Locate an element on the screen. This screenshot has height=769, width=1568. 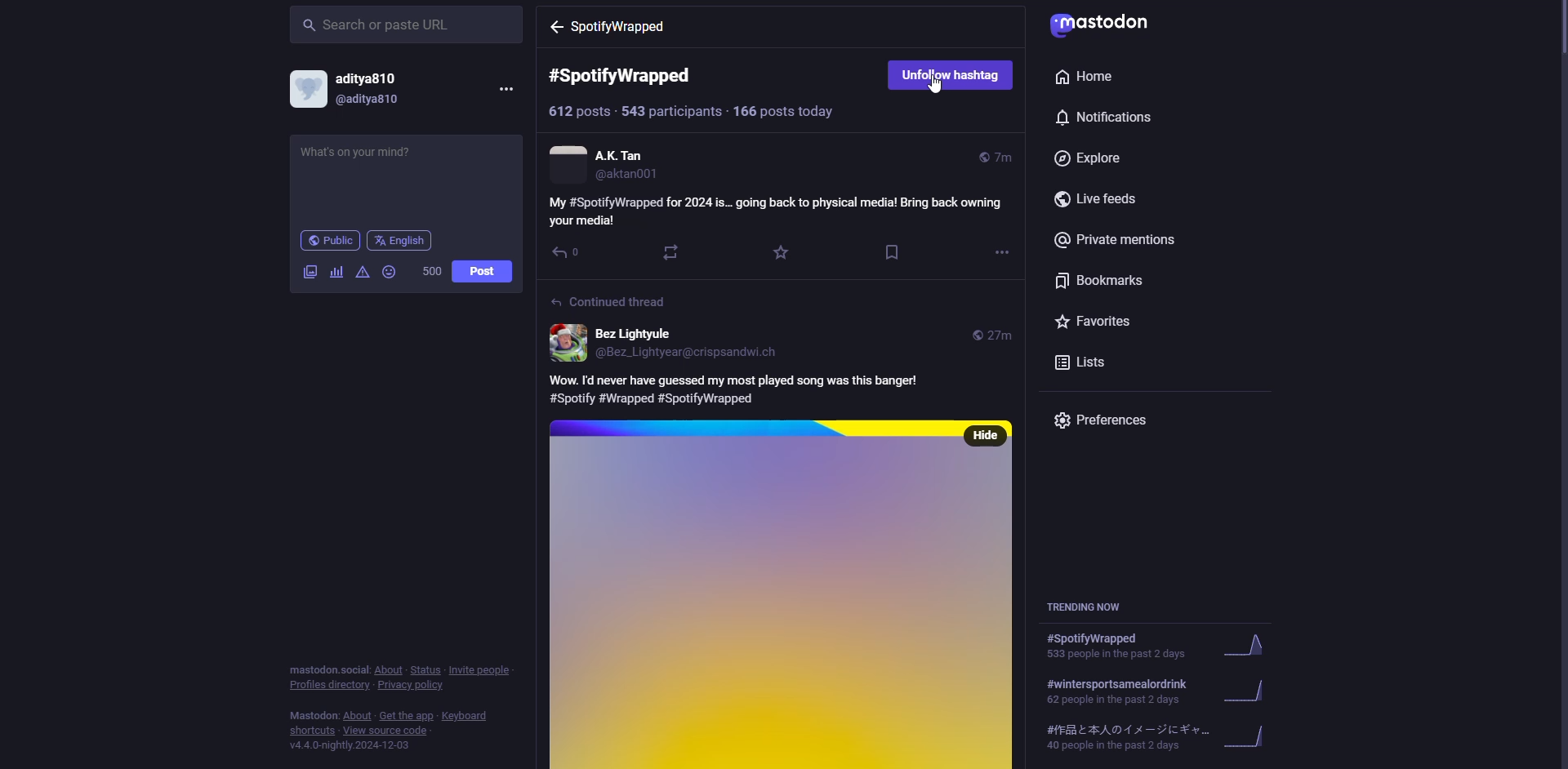
account is located at coordinates (359, 89).